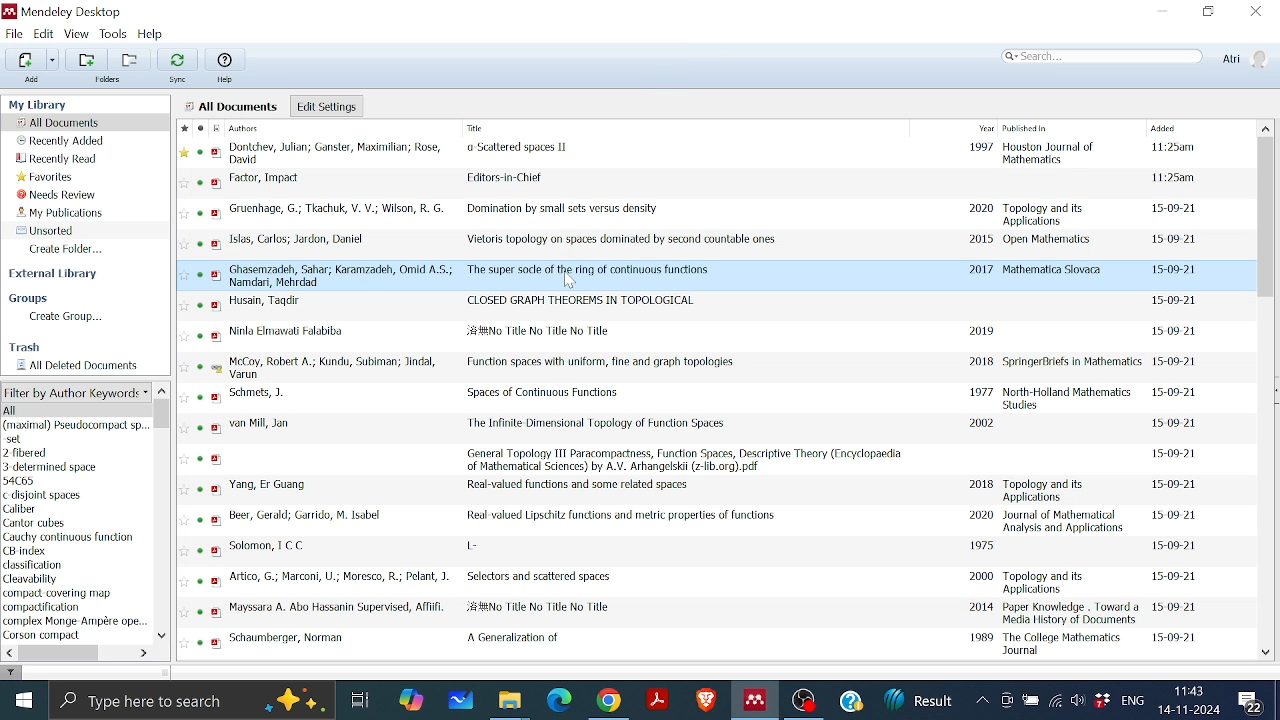 This screenshot has height=720, width=1280. Describe the element at coordinates (1007, 701) in the screenshot. I see `Meet now` at that location.